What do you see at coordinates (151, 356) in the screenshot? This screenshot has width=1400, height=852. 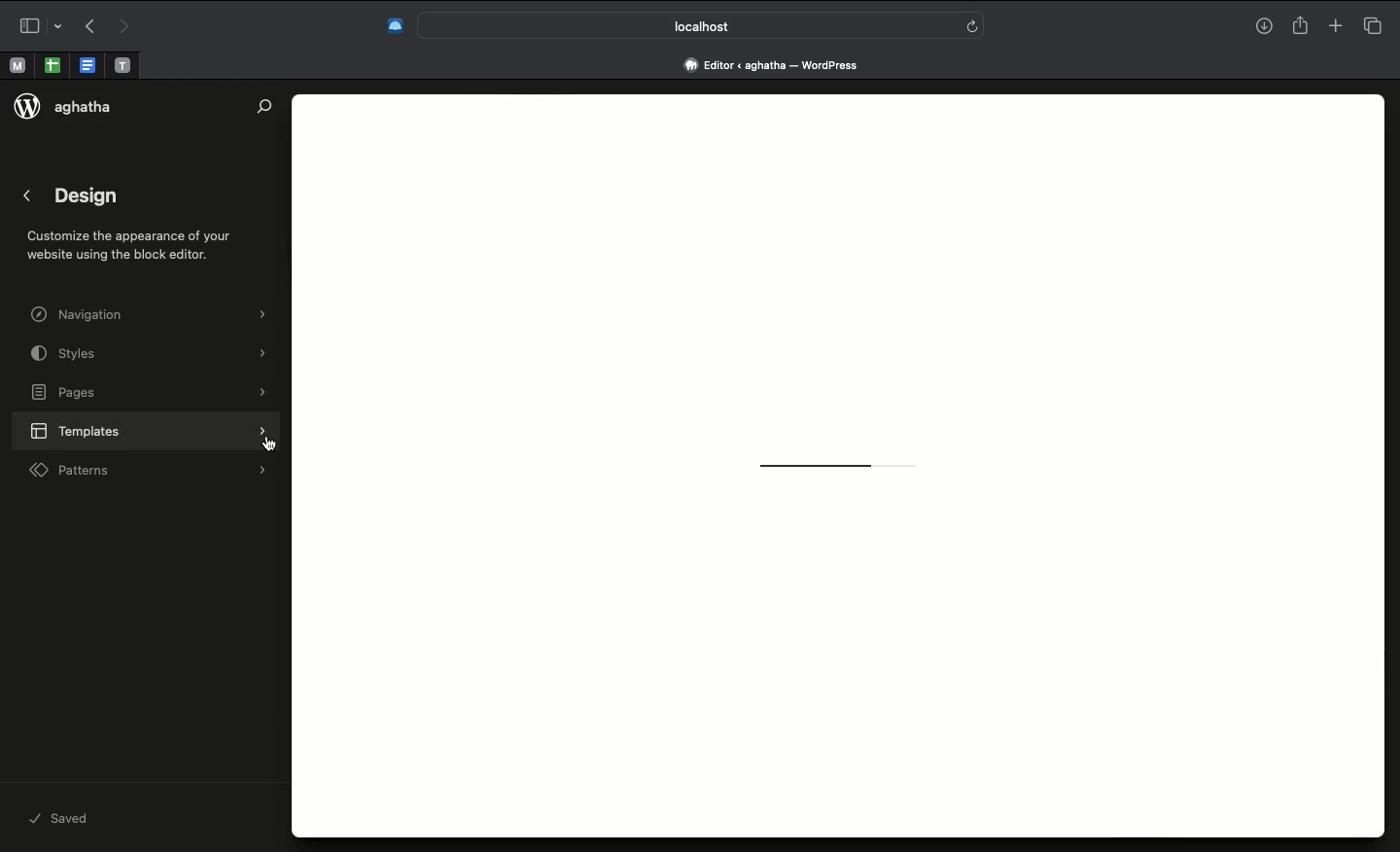 I see `Styles` at bounding box center [151, 356].